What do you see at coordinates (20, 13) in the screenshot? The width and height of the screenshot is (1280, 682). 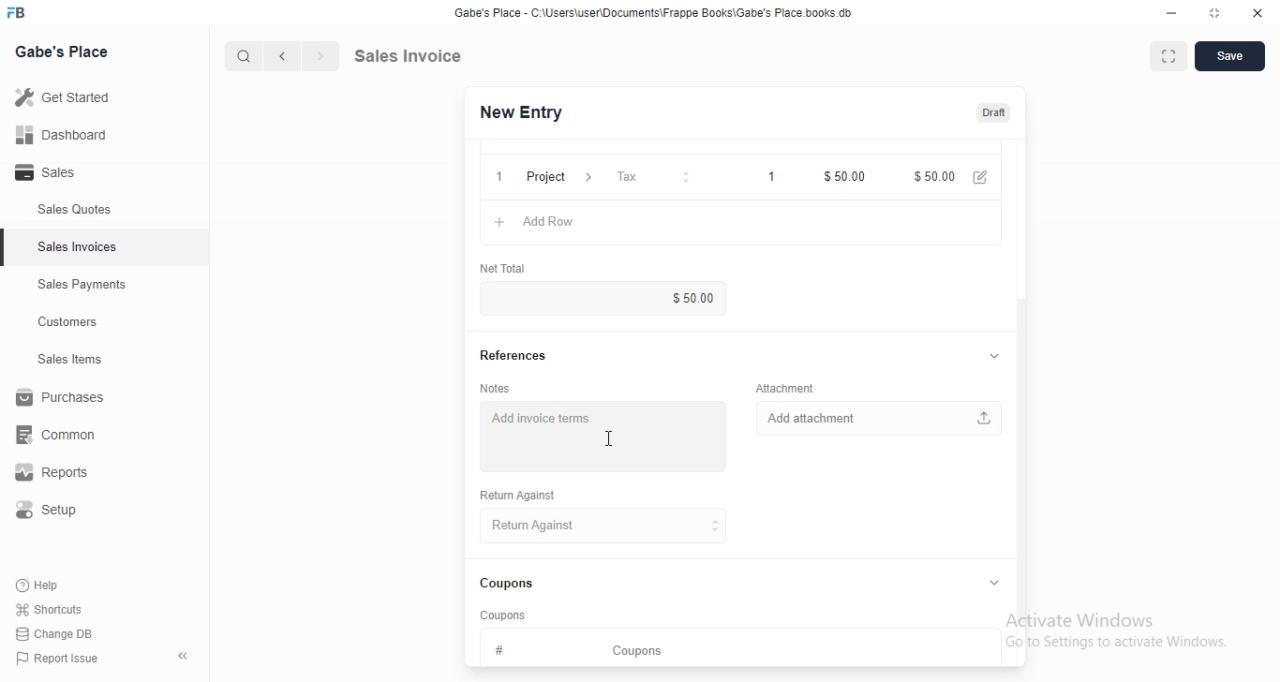 I see `FB logo` at bounding box center [20, 13].